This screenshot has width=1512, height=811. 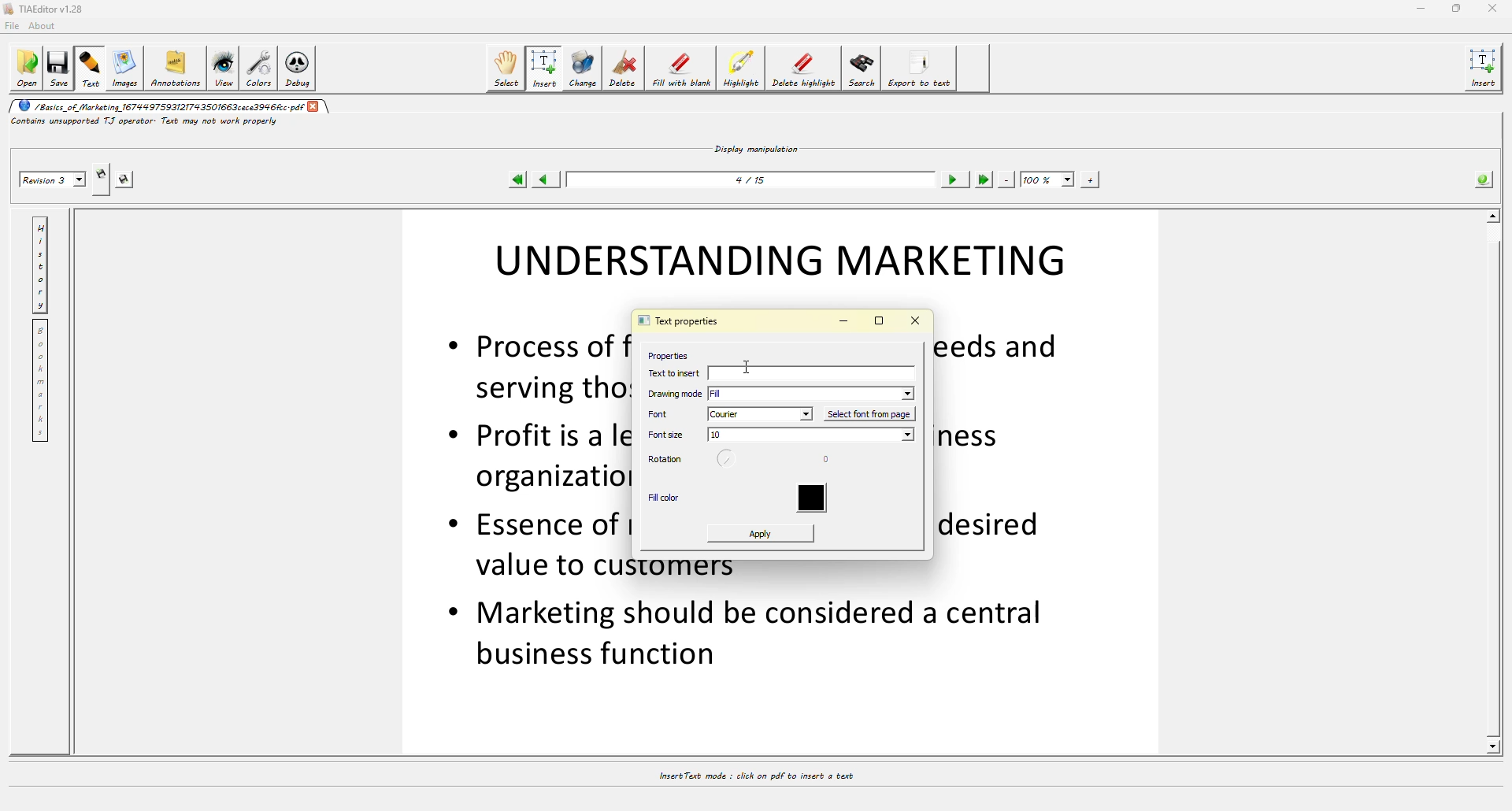 What do you see at coordinates (665, 499) in the screenshot?
I see `fill color` at bounding box center [665, 499].